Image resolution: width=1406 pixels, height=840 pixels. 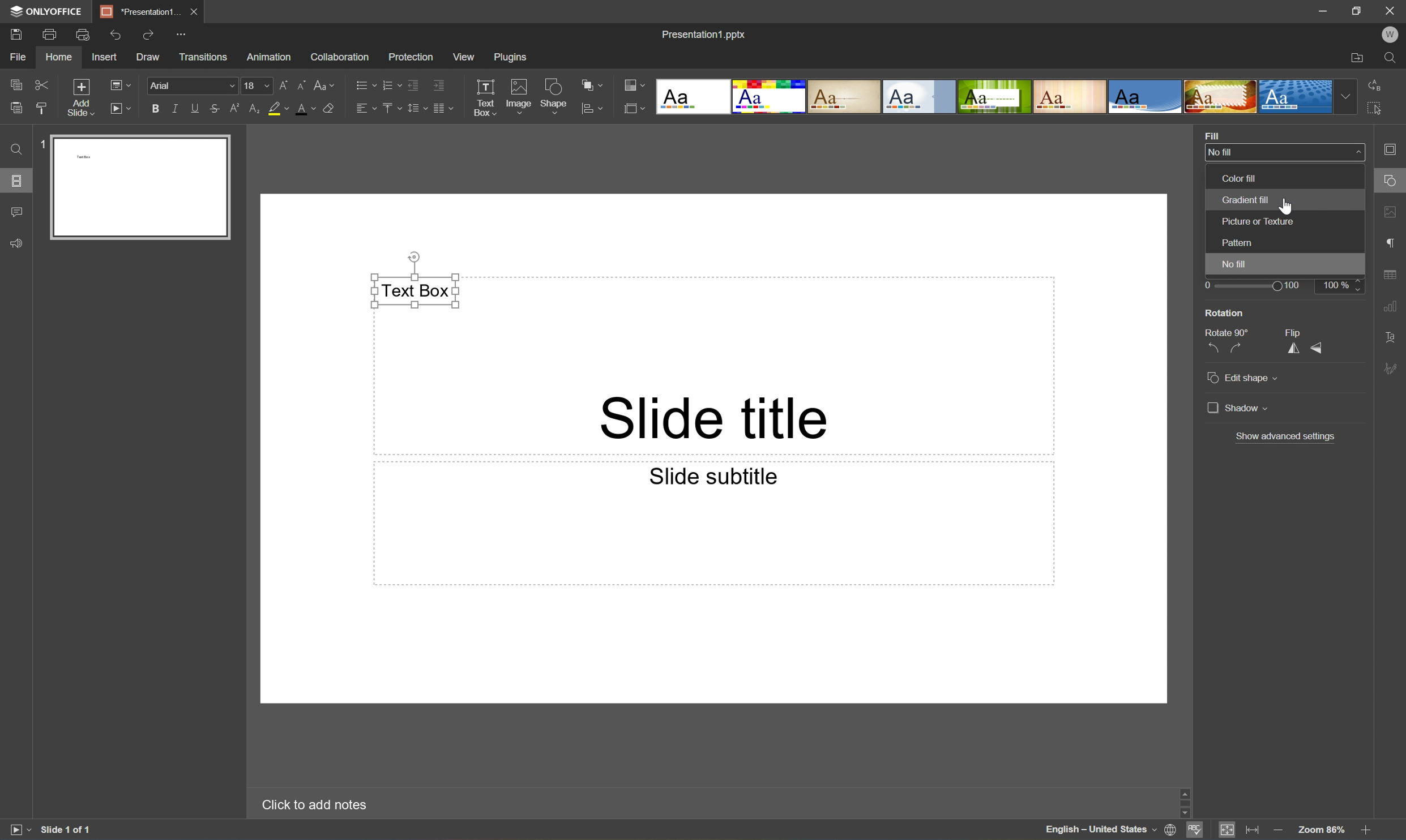 I want to click on Picture or Texture, so click(x=1256, y=222).